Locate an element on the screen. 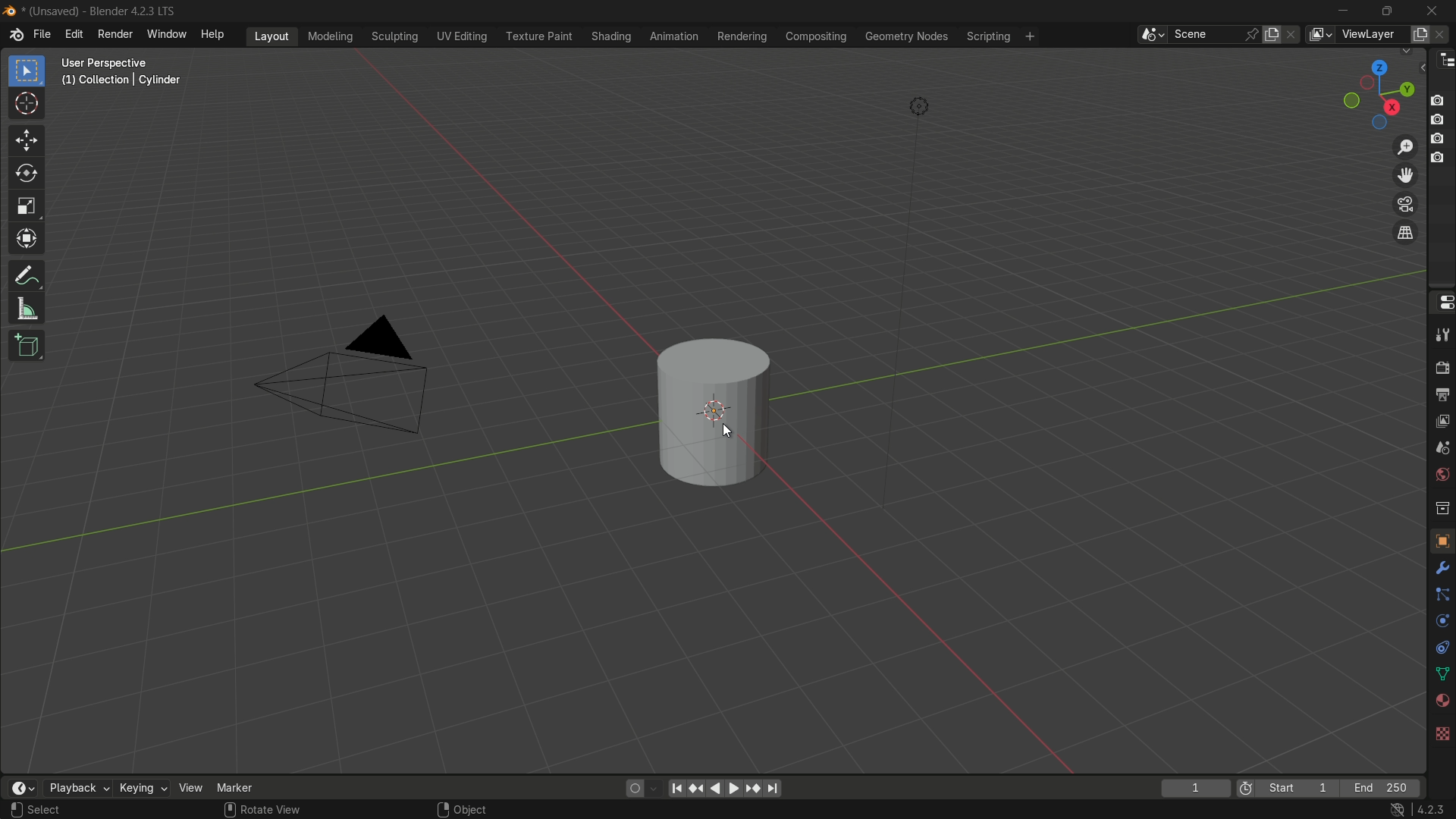  select box is located at coordinates (29, 71).